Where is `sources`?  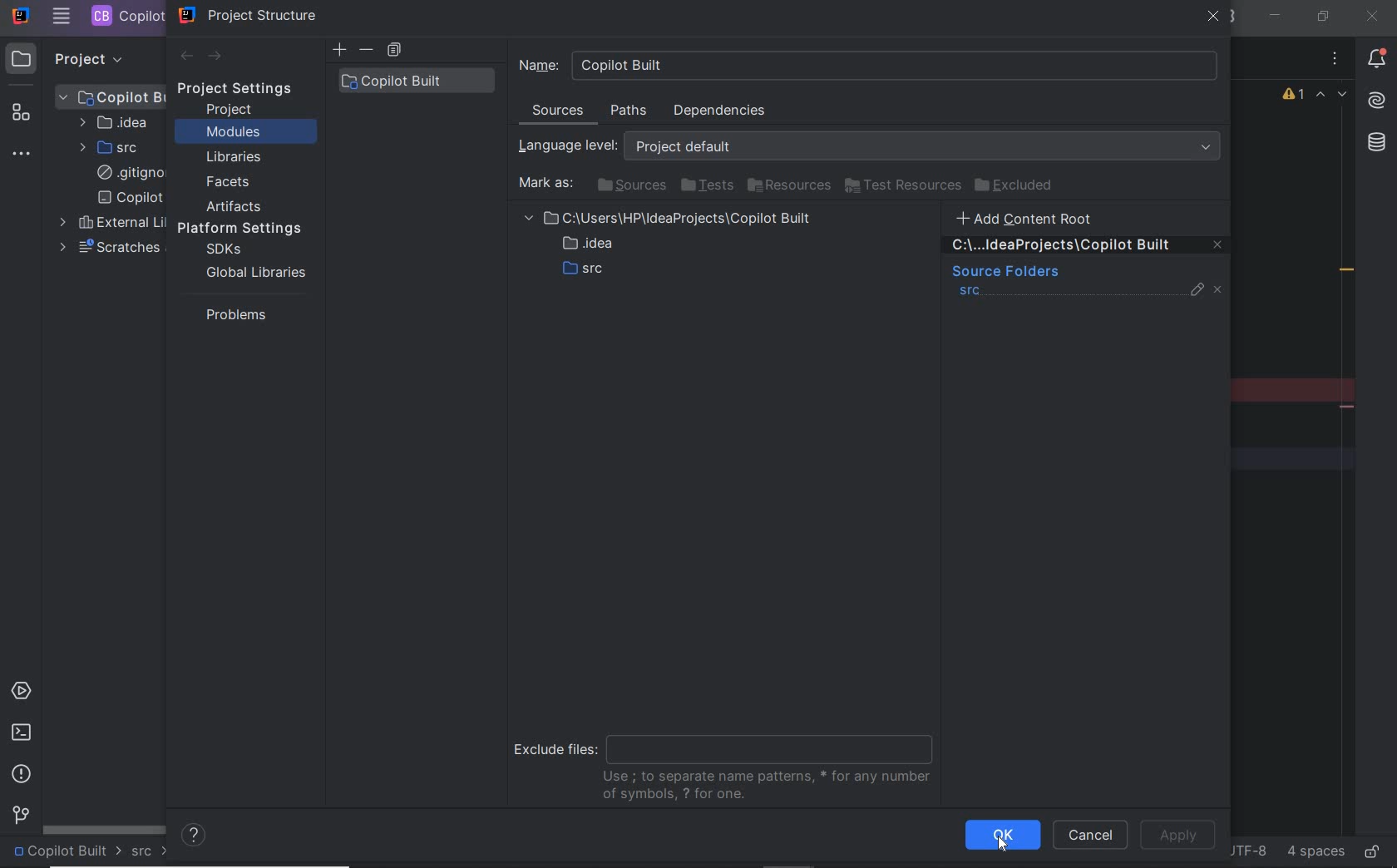
sources is located at coordinates (560, 113).